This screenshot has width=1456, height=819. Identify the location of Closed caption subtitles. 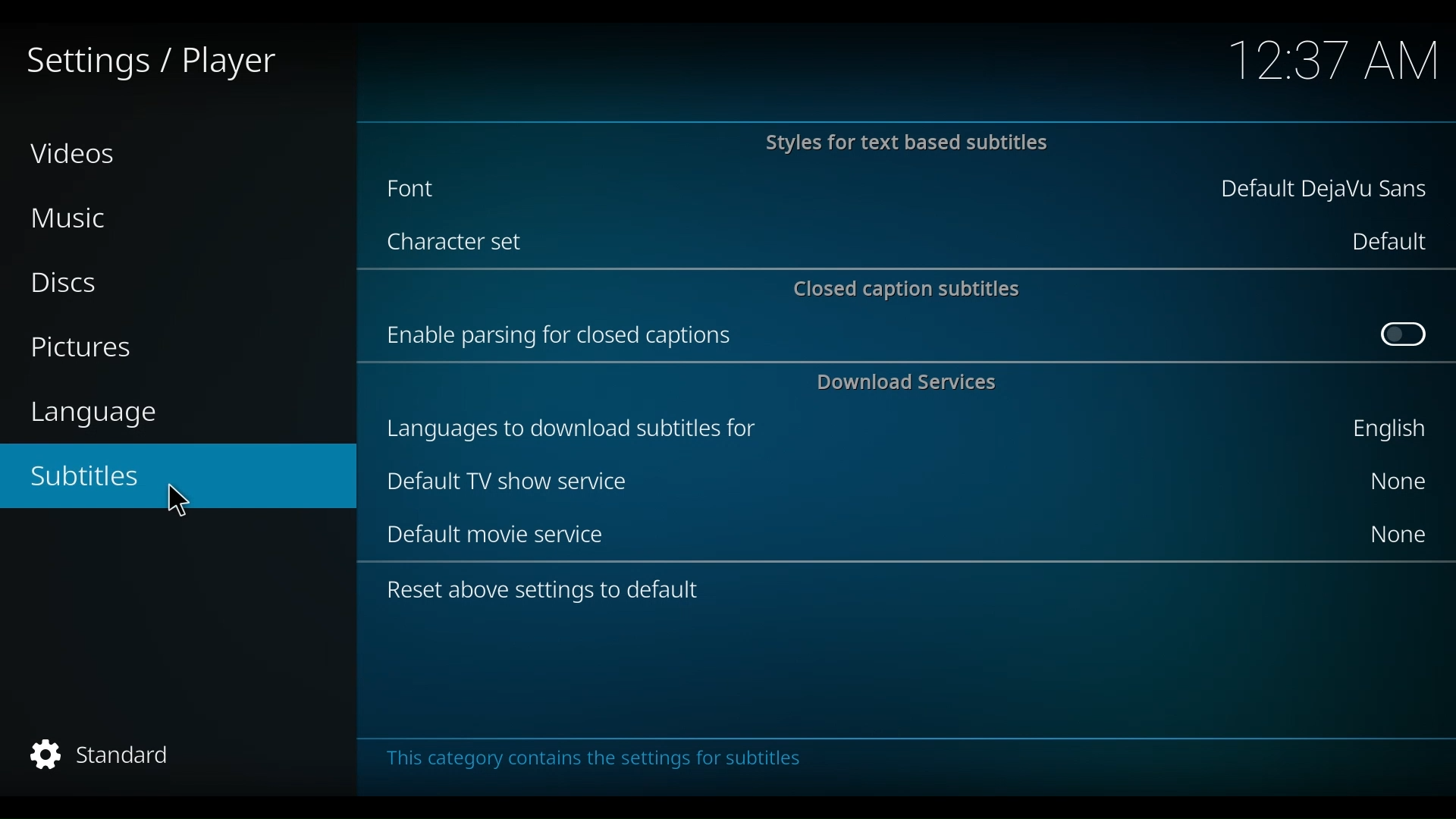
(909, 287).